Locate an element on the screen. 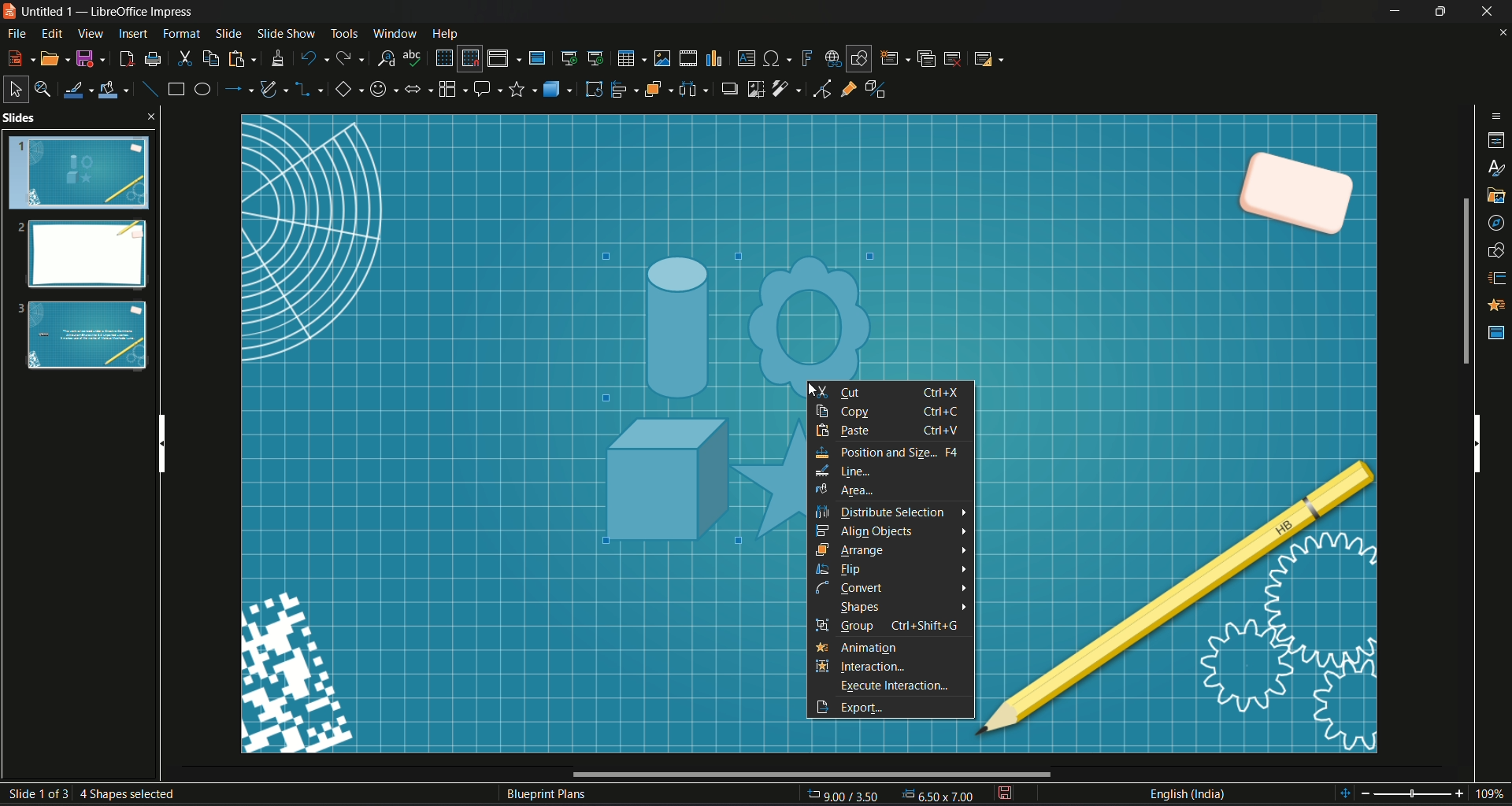 This screenshot has height=806, width=1512. sidebar options is located at coordinates (1497, 115).